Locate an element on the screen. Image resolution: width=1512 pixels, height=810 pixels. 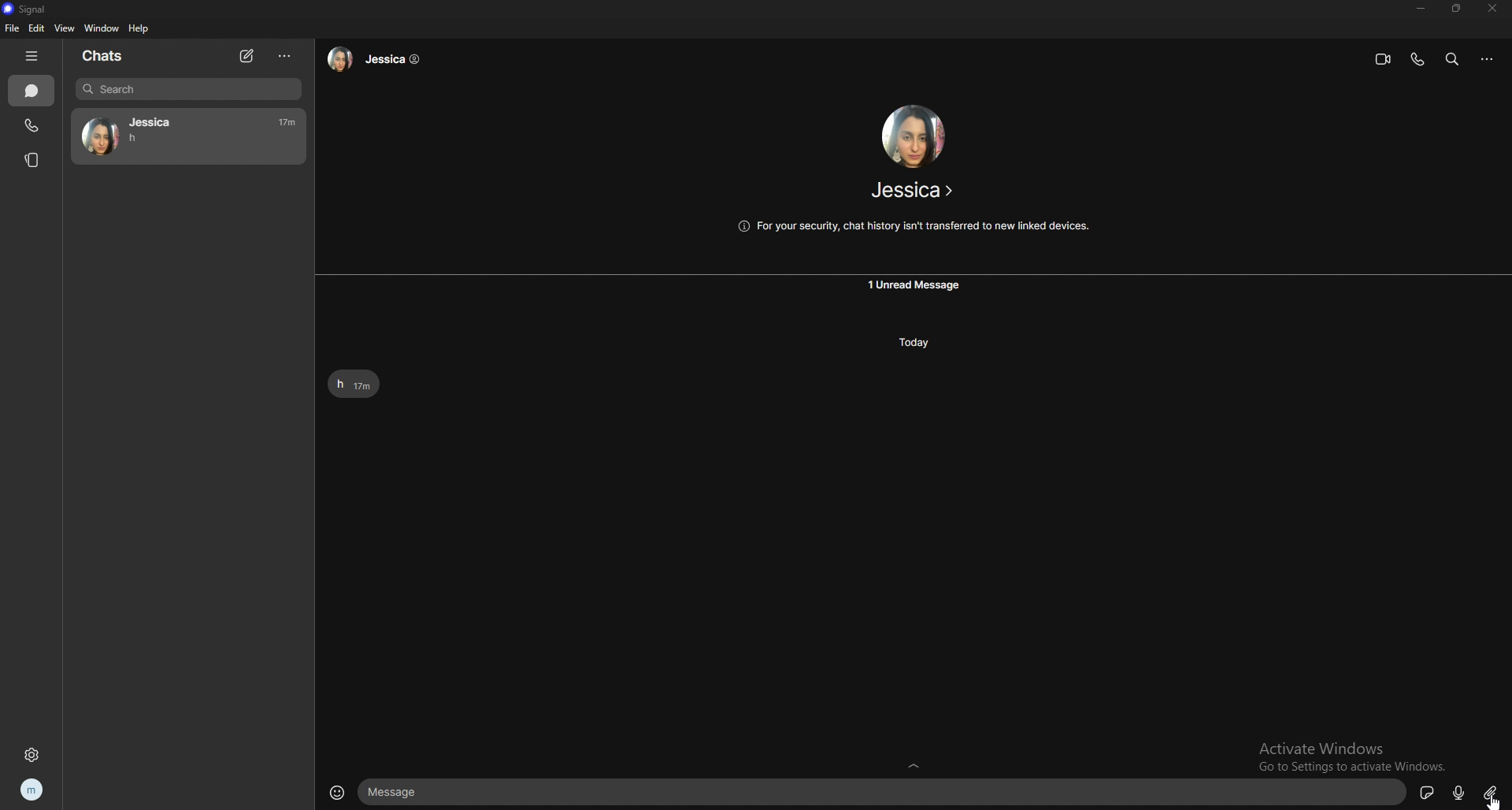
For your security, chat history isn't transferred to new linked devices. is located at coordinates (918, 225).